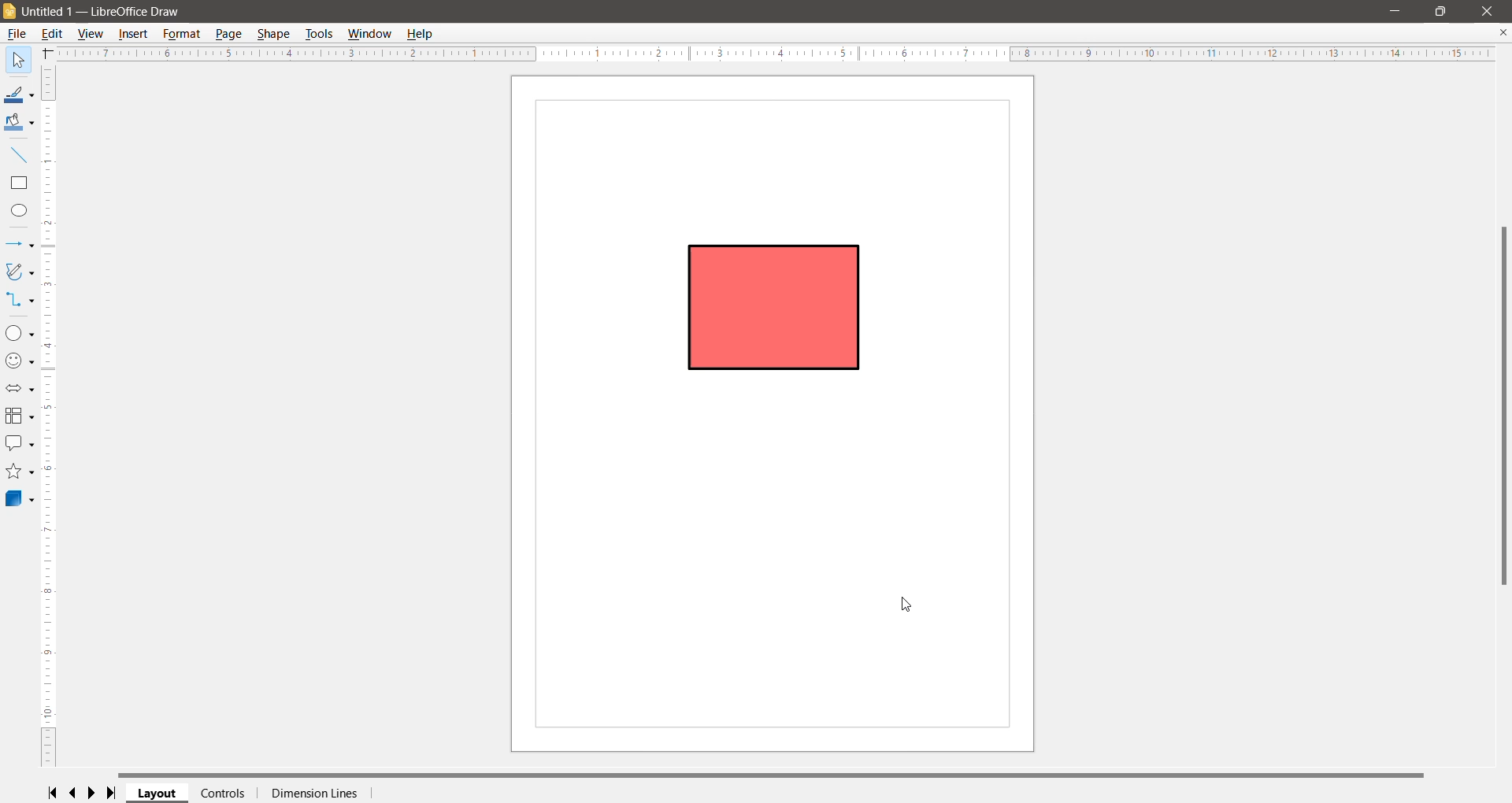 The width and height of the screenshot is (1512, 803). Describe the element at coordinates (20, 443) in the screenshot. I see `Callout Shapes` at that location.